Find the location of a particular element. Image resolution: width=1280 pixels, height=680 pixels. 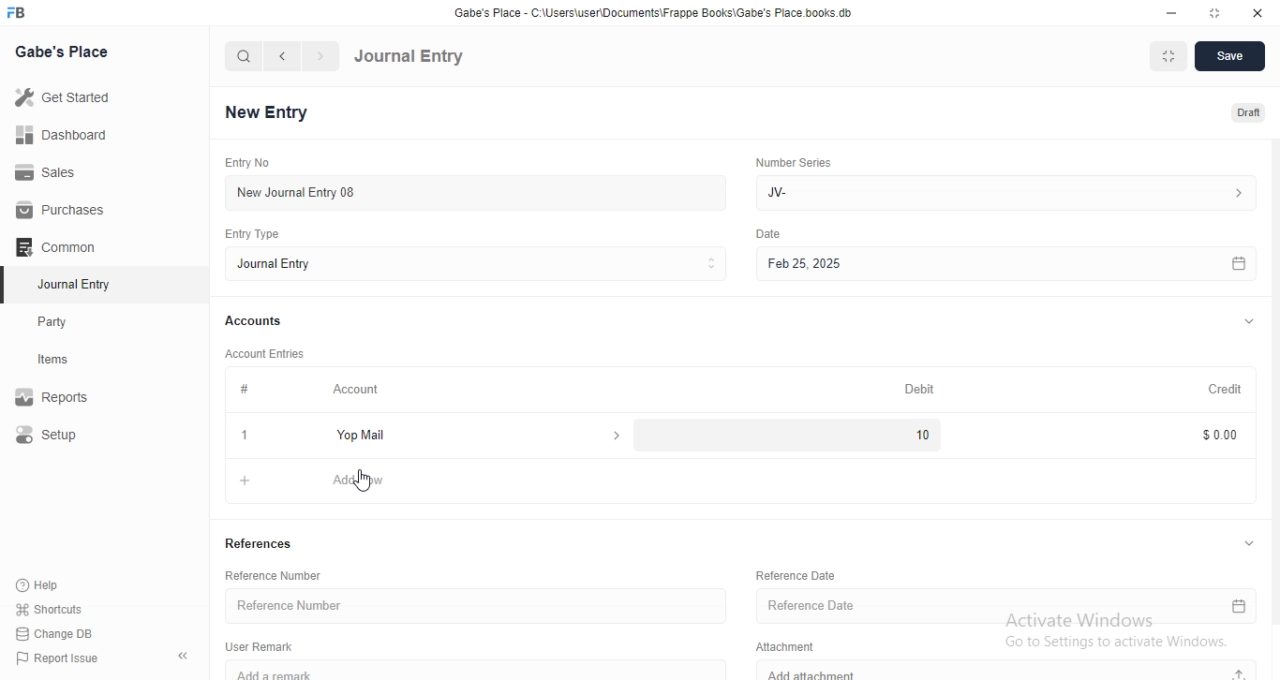

New Entry is located at coordinates (266, 111).